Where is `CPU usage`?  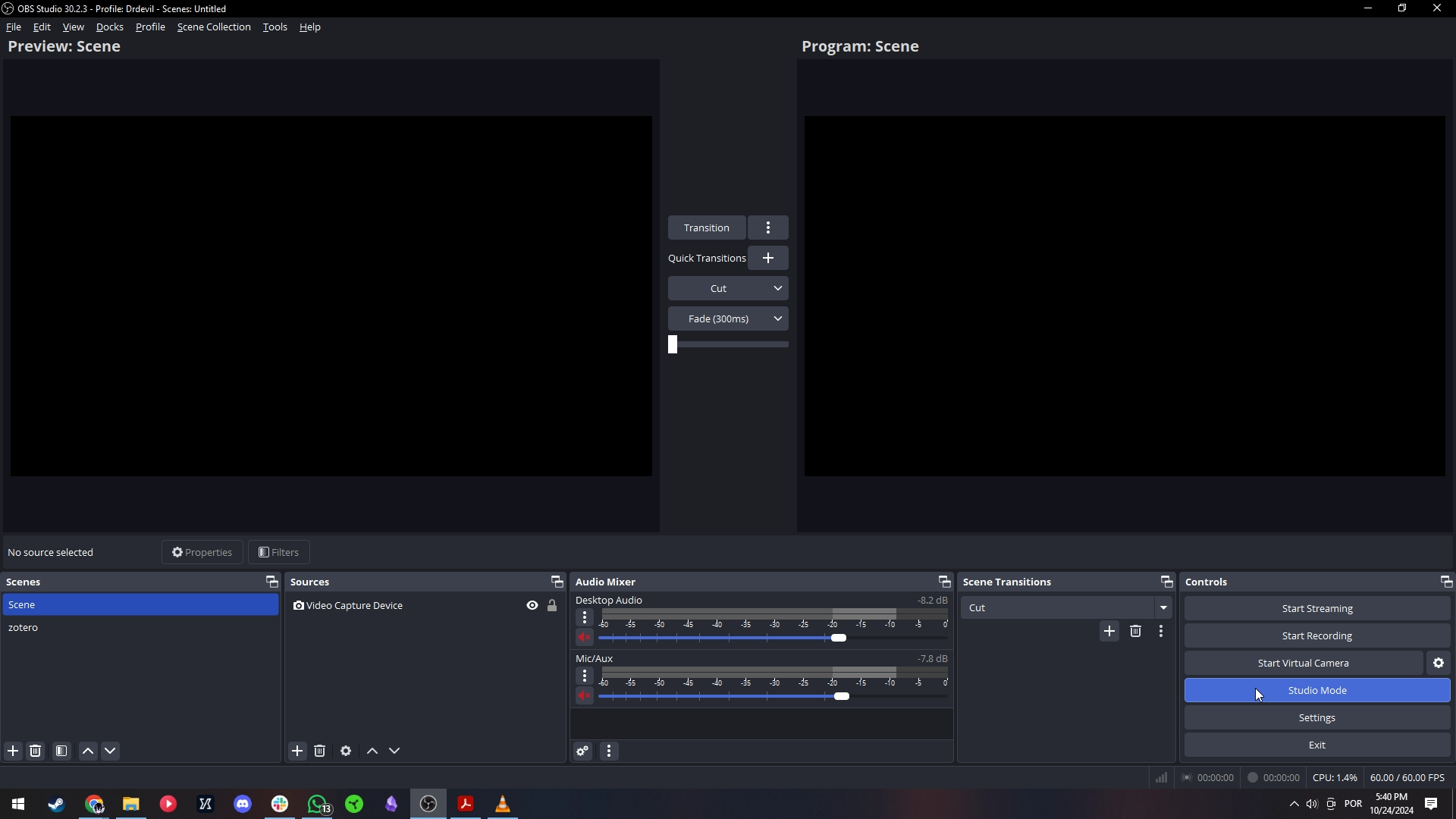
CPU usage is located at coordinates (1334, 777).